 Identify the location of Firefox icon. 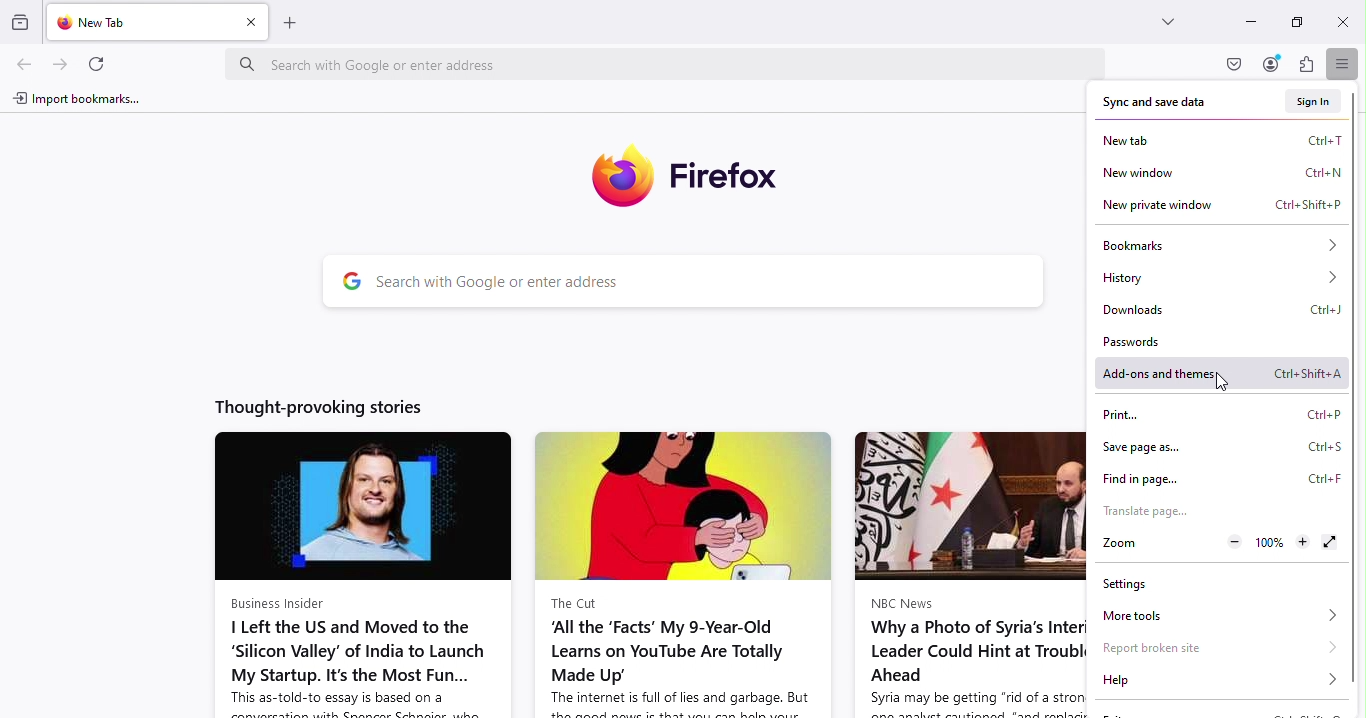
(683, 174).